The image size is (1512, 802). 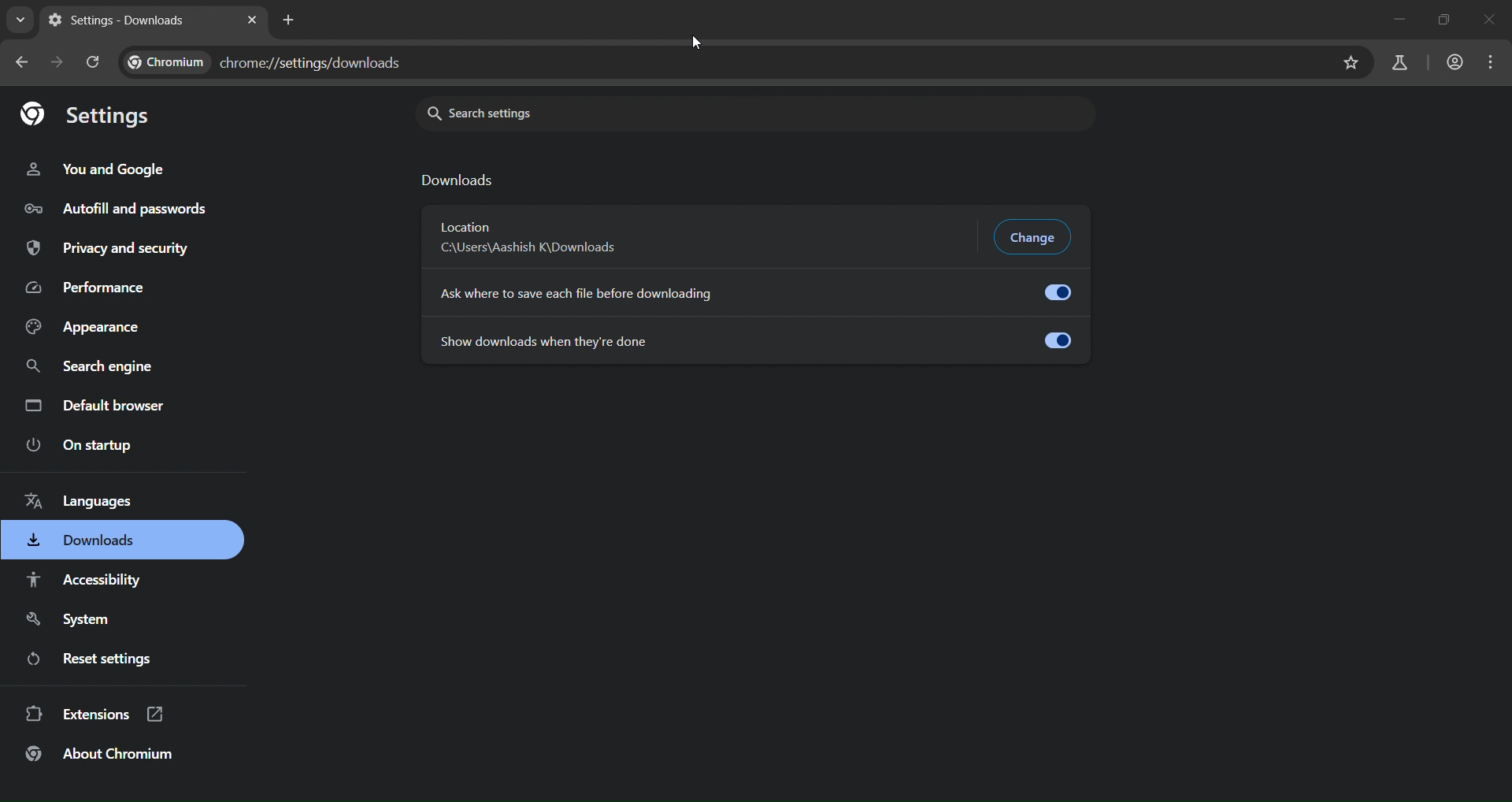 I want to click on current tab, so click(x=113, y=21).